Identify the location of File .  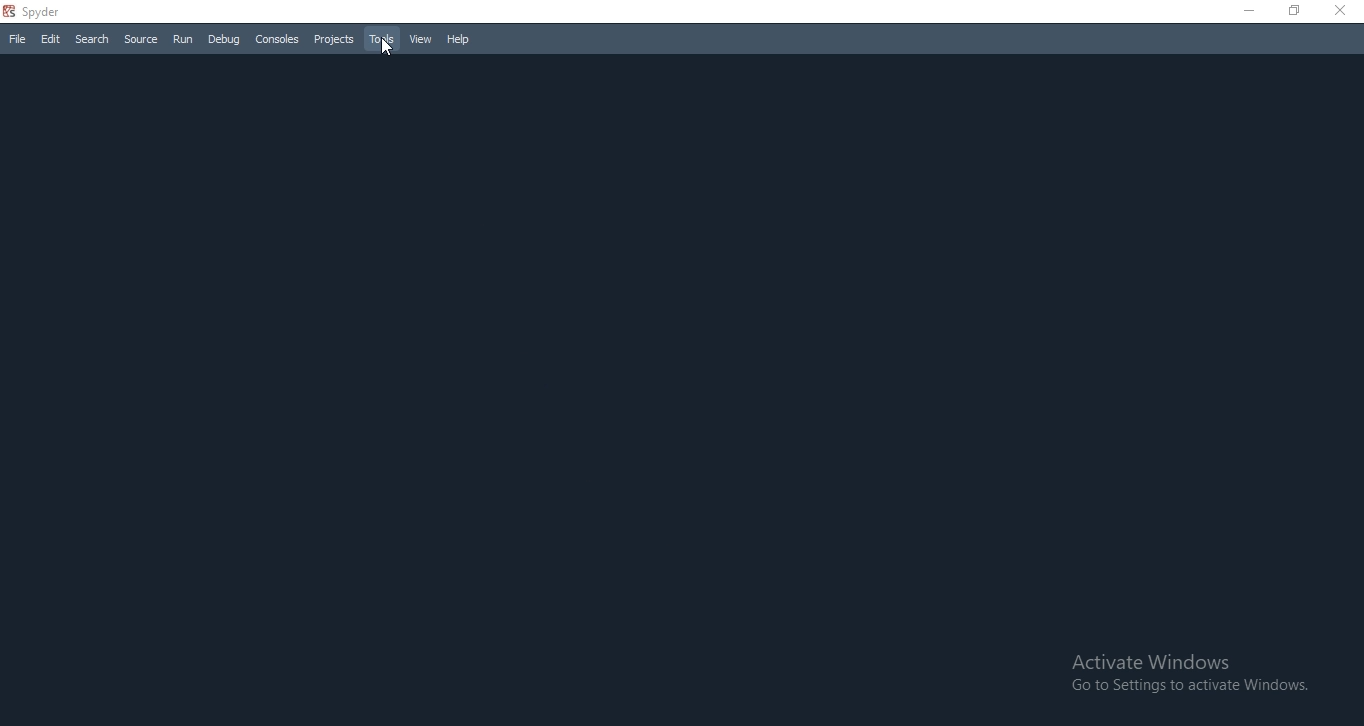
(17, 39).